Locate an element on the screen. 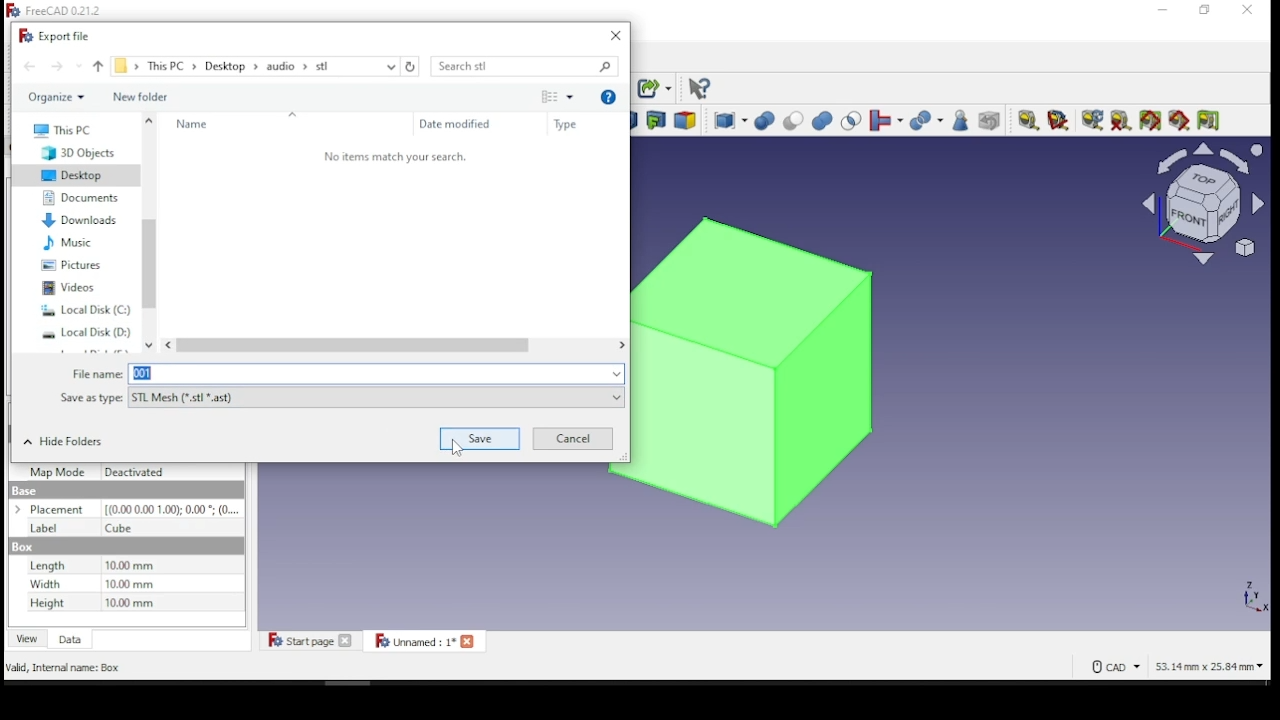 The image size is (1280, 720). back is located at coordinates (29, 64).